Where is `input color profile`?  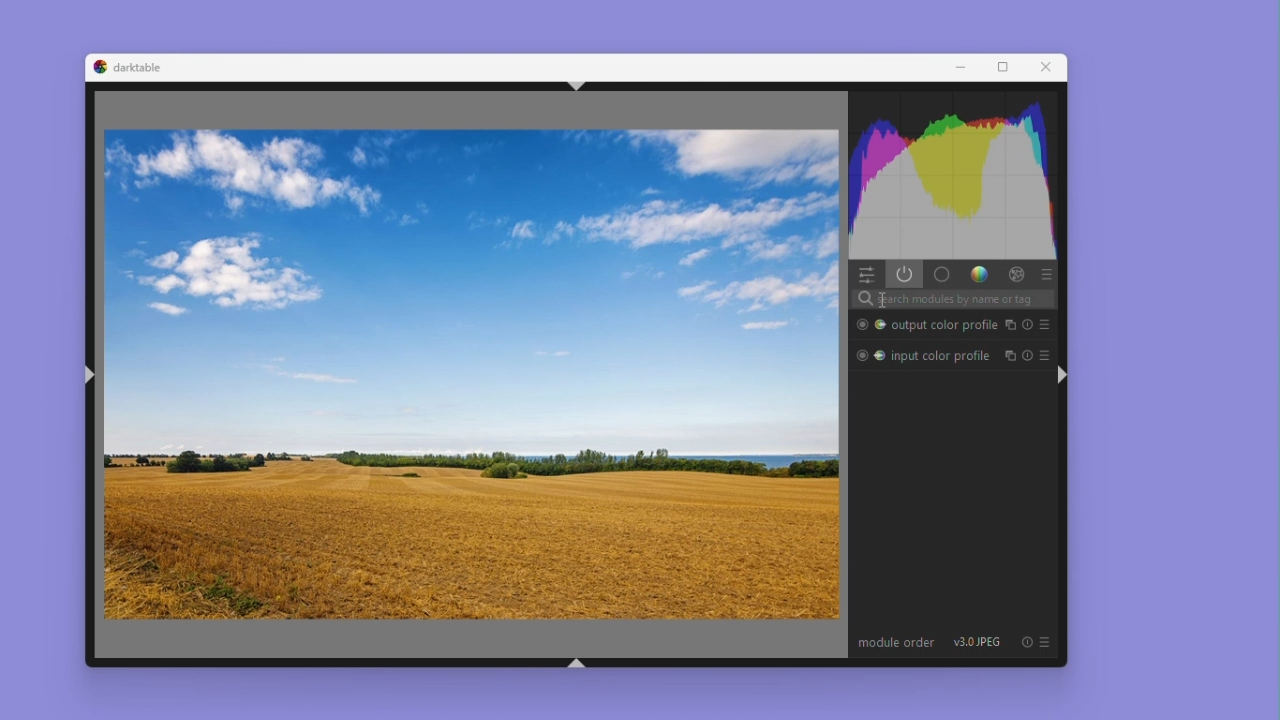 input color profile is located at coordinates (942, 355).